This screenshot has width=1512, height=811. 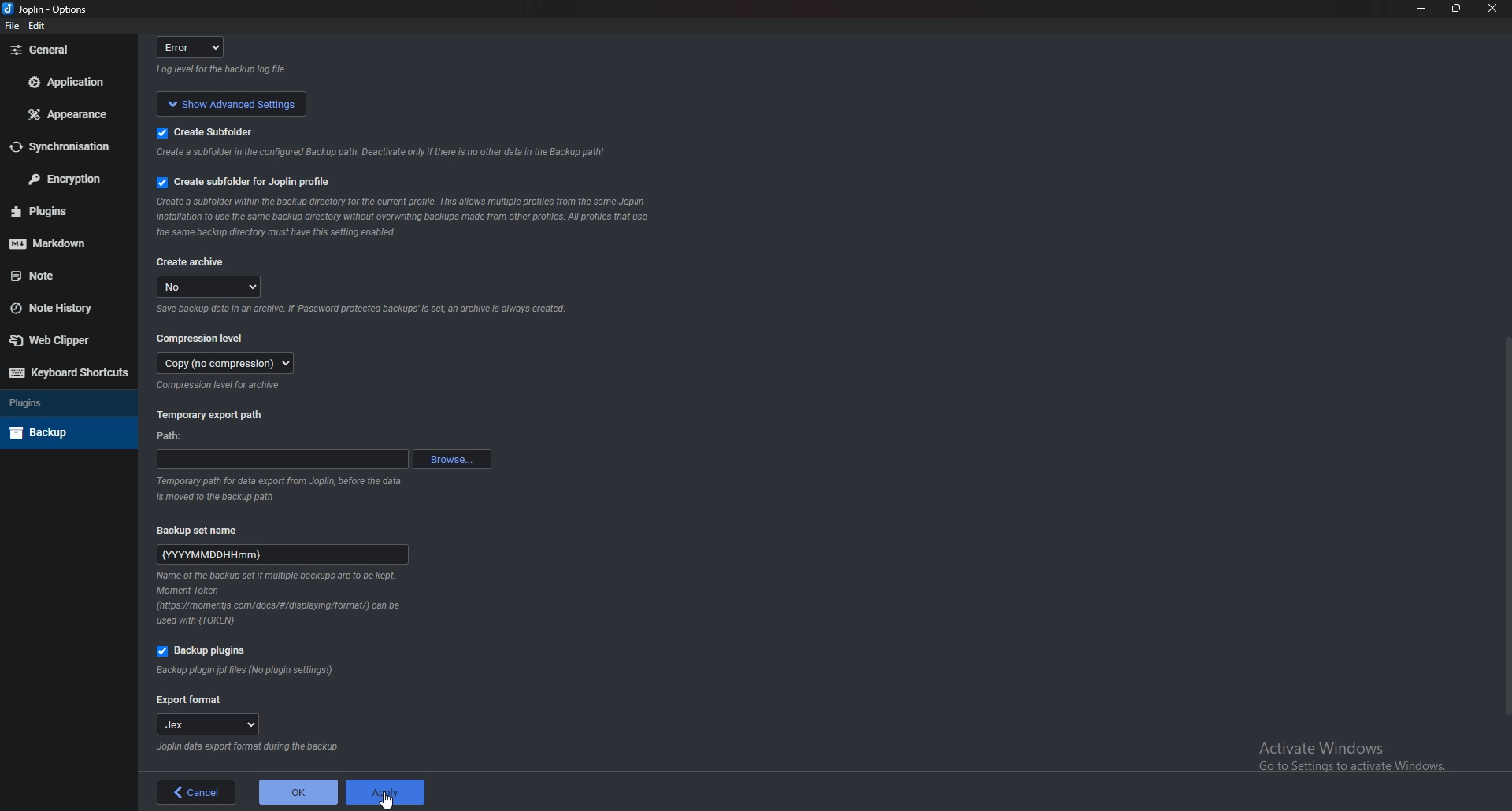 I want to click on info, so click(x=284, y=487).